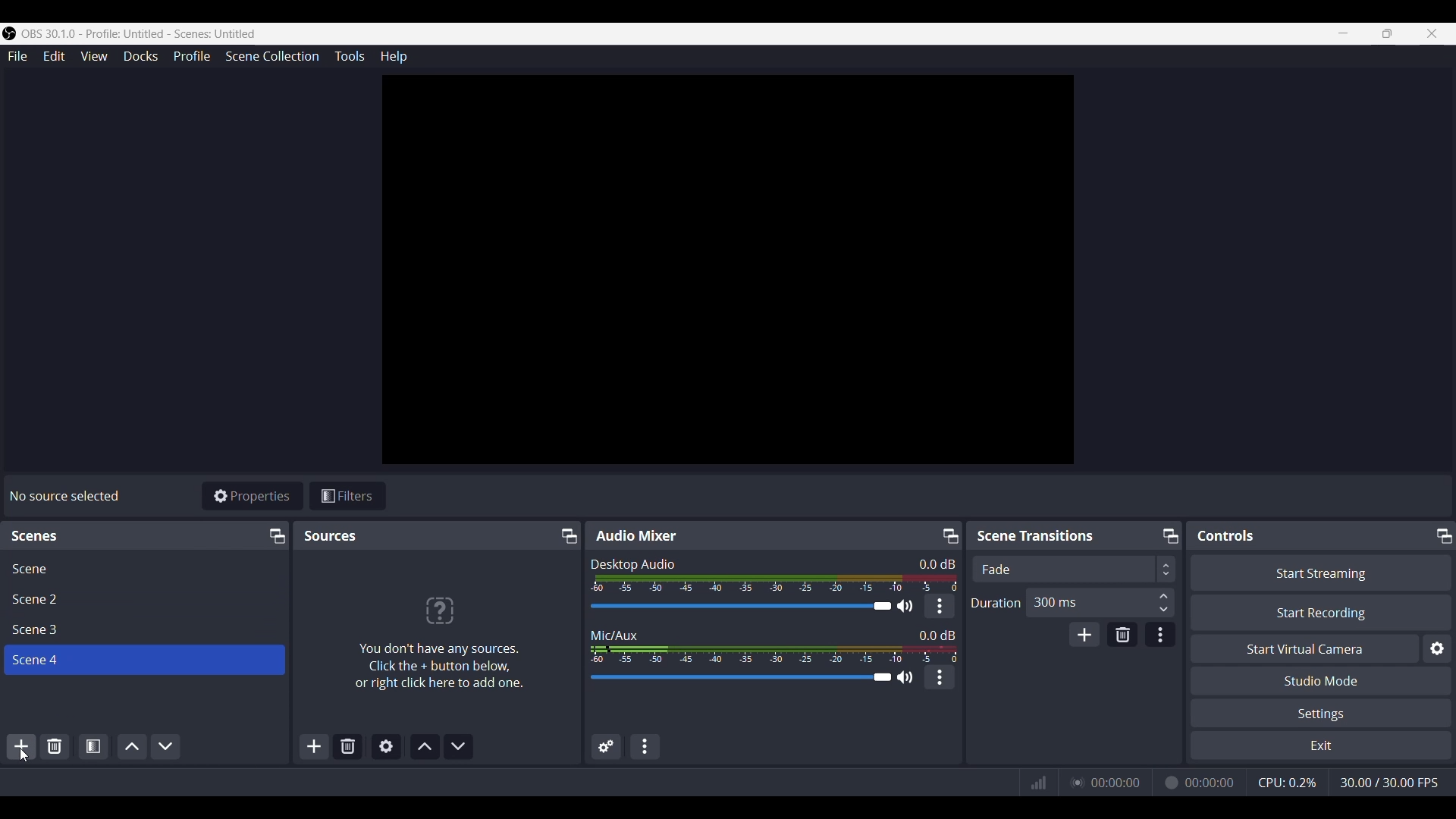 The height and width of the screenshot is (819, 1456). Describe the element at coordinates (331, 535) in the screenshot. I see `Sources` at that location.